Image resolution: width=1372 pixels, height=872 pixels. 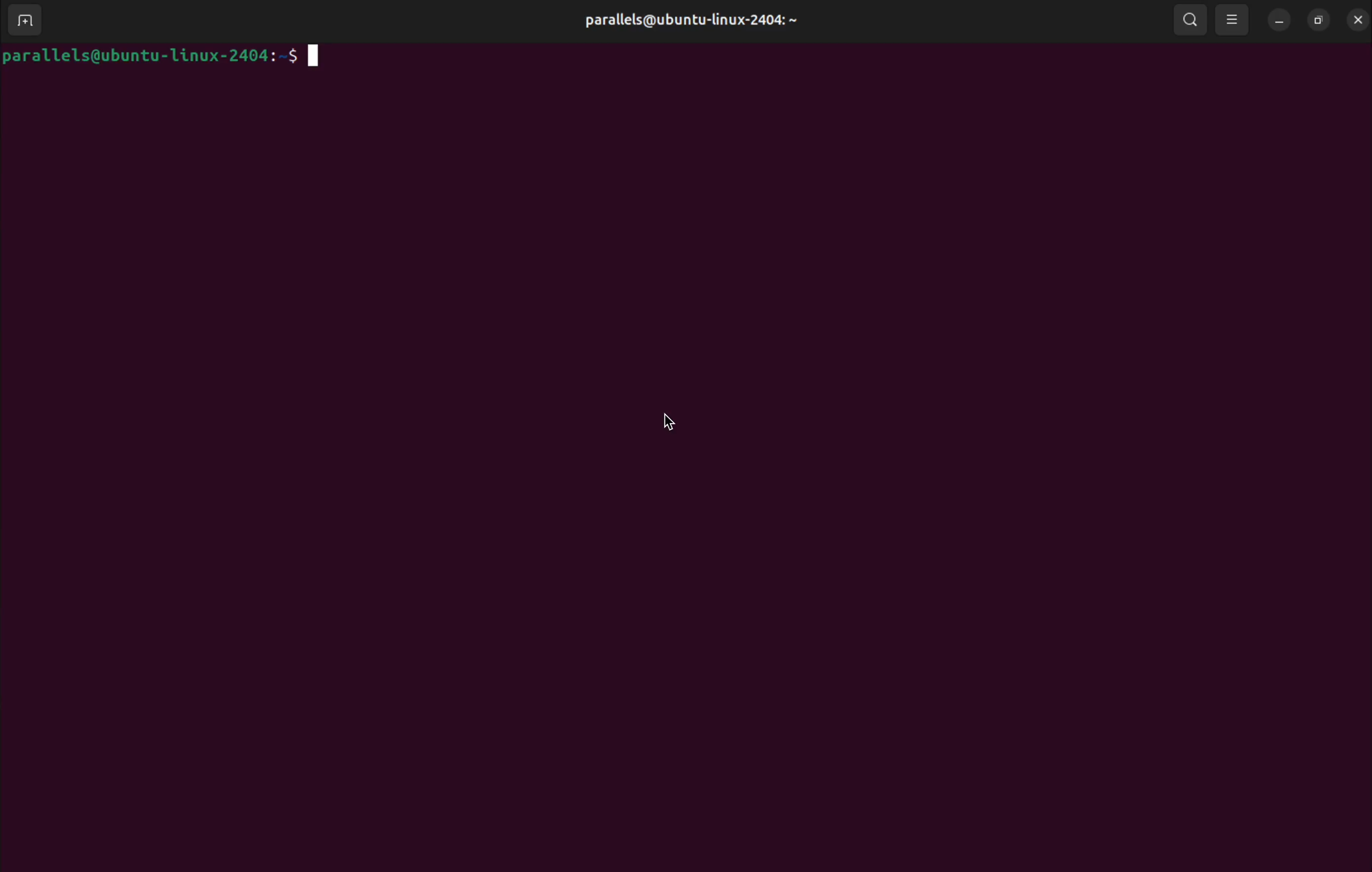 I want to click on minimize, so click(x=1279, y=20).